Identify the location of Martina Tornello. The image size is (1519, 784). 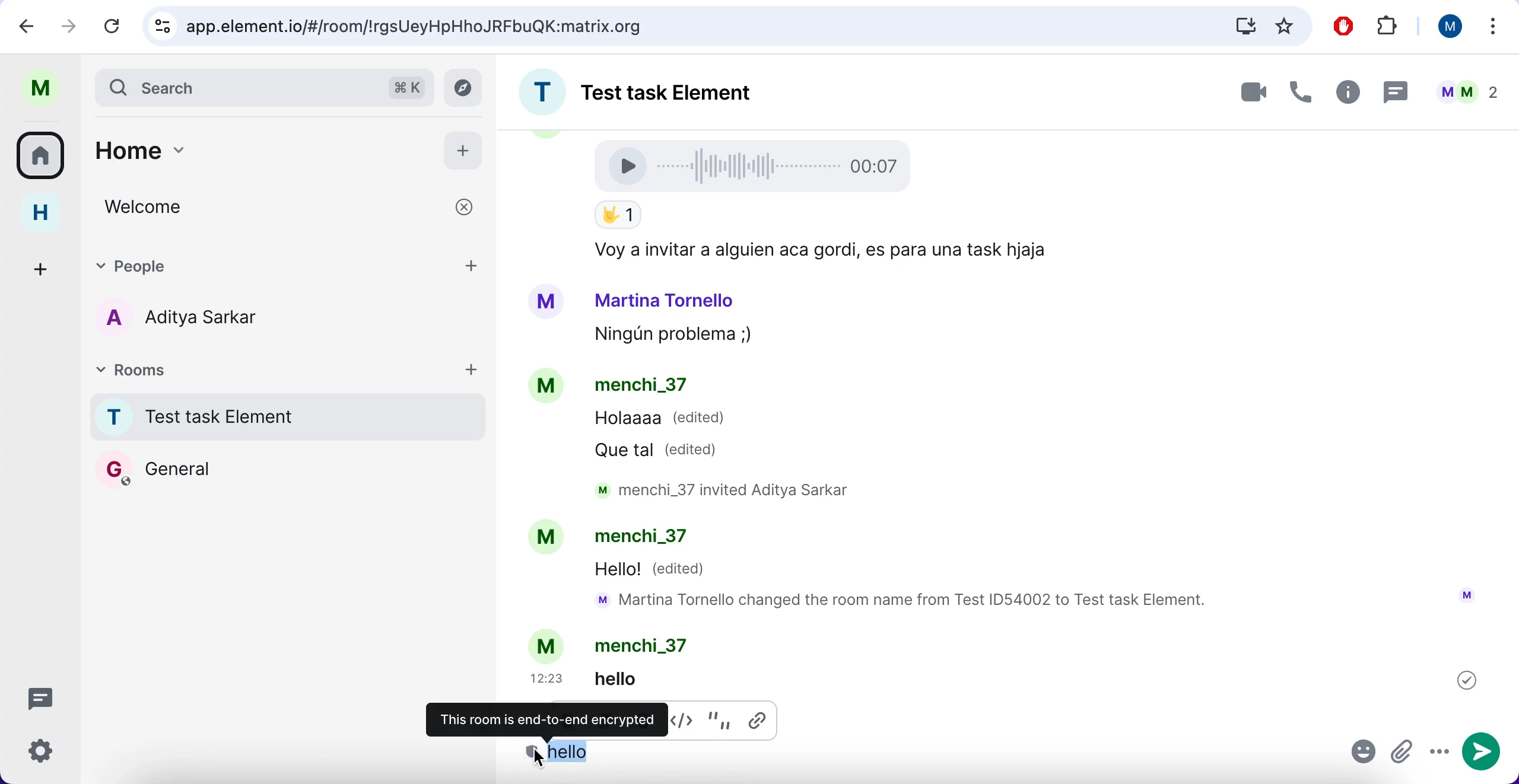
(665, 299).